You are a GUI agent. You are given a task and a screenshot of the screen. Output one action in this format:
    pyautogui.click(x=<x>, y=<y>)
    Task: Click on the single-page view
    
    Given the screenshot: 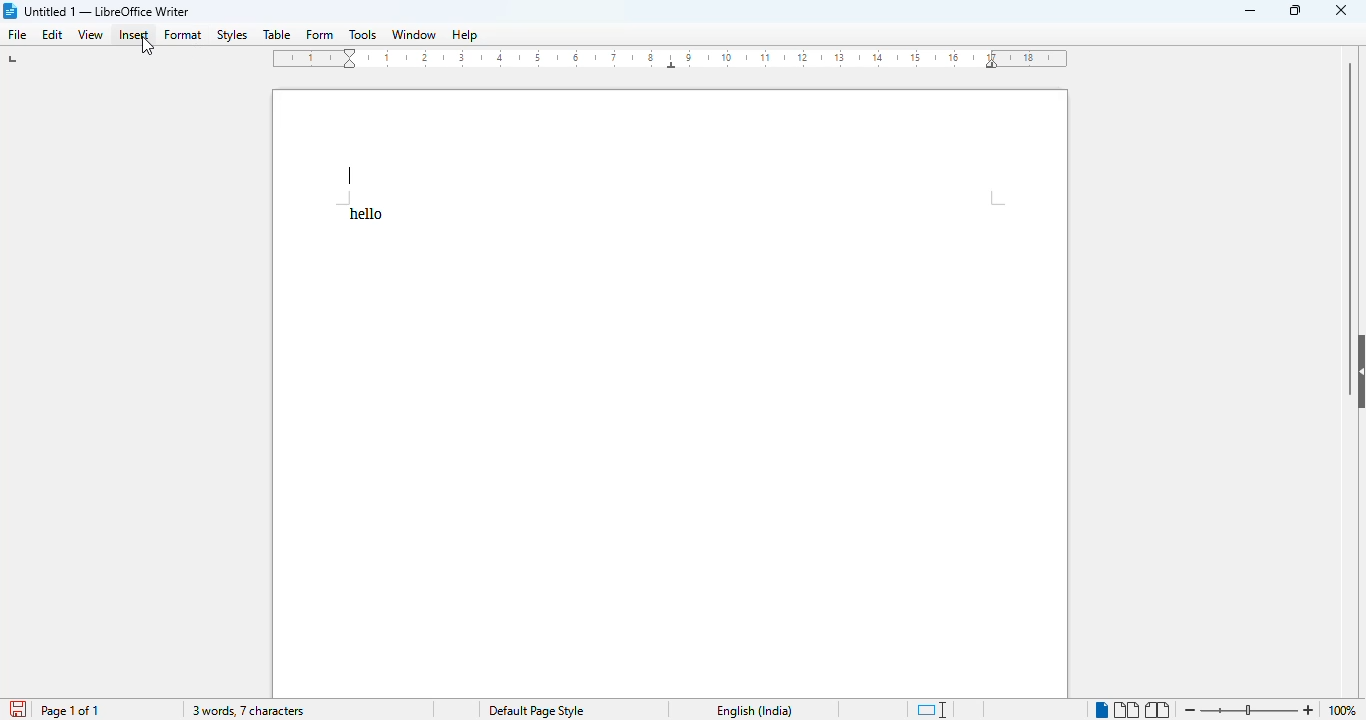 What is the action you would take?
    pyautogui.click(x=1101, y=709)
    